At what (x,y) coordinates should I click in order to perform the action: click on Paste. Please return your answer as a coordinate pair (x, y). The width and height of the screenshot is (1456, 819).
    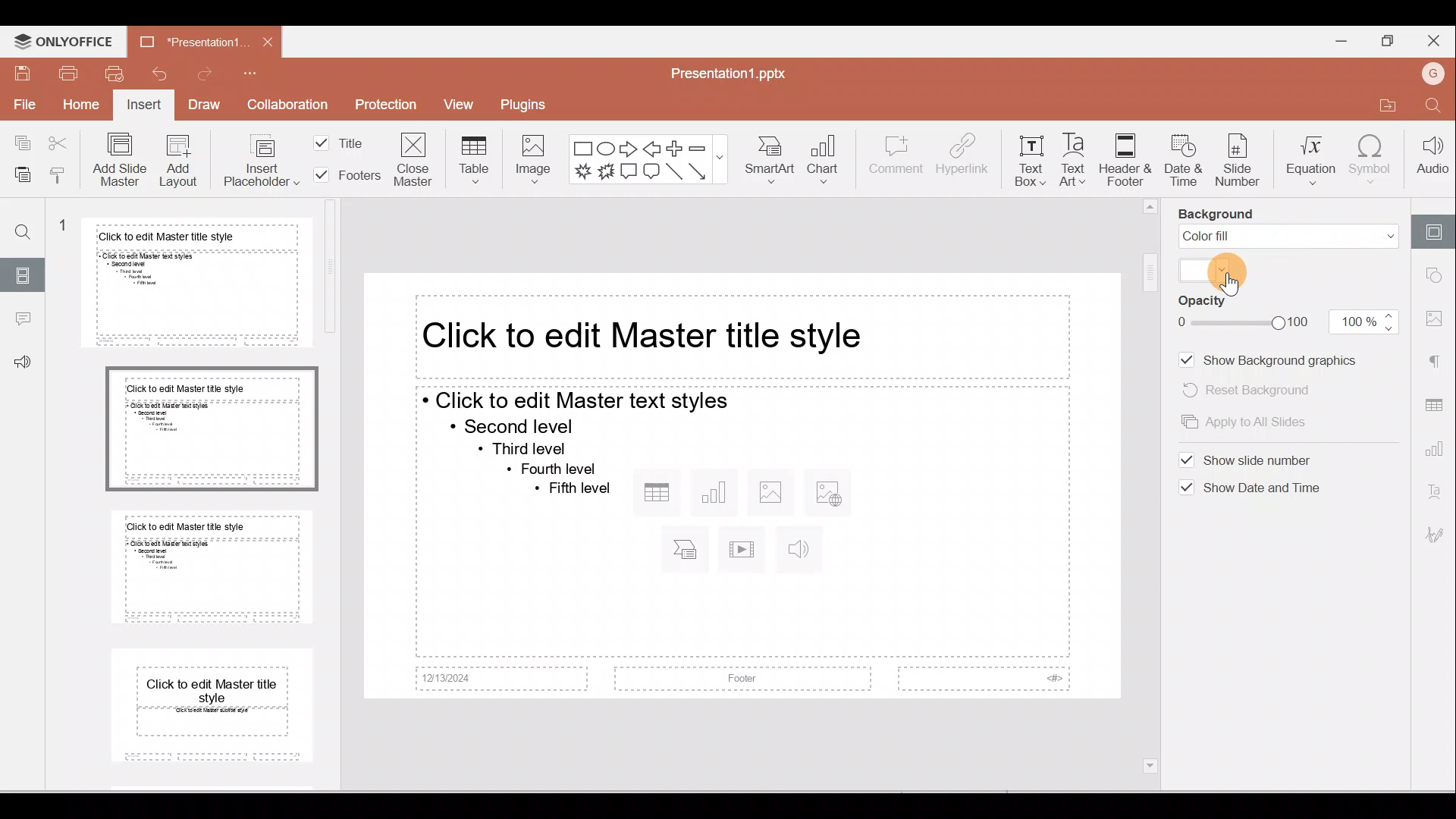
    Looking at the image, I should click on (18, 172).